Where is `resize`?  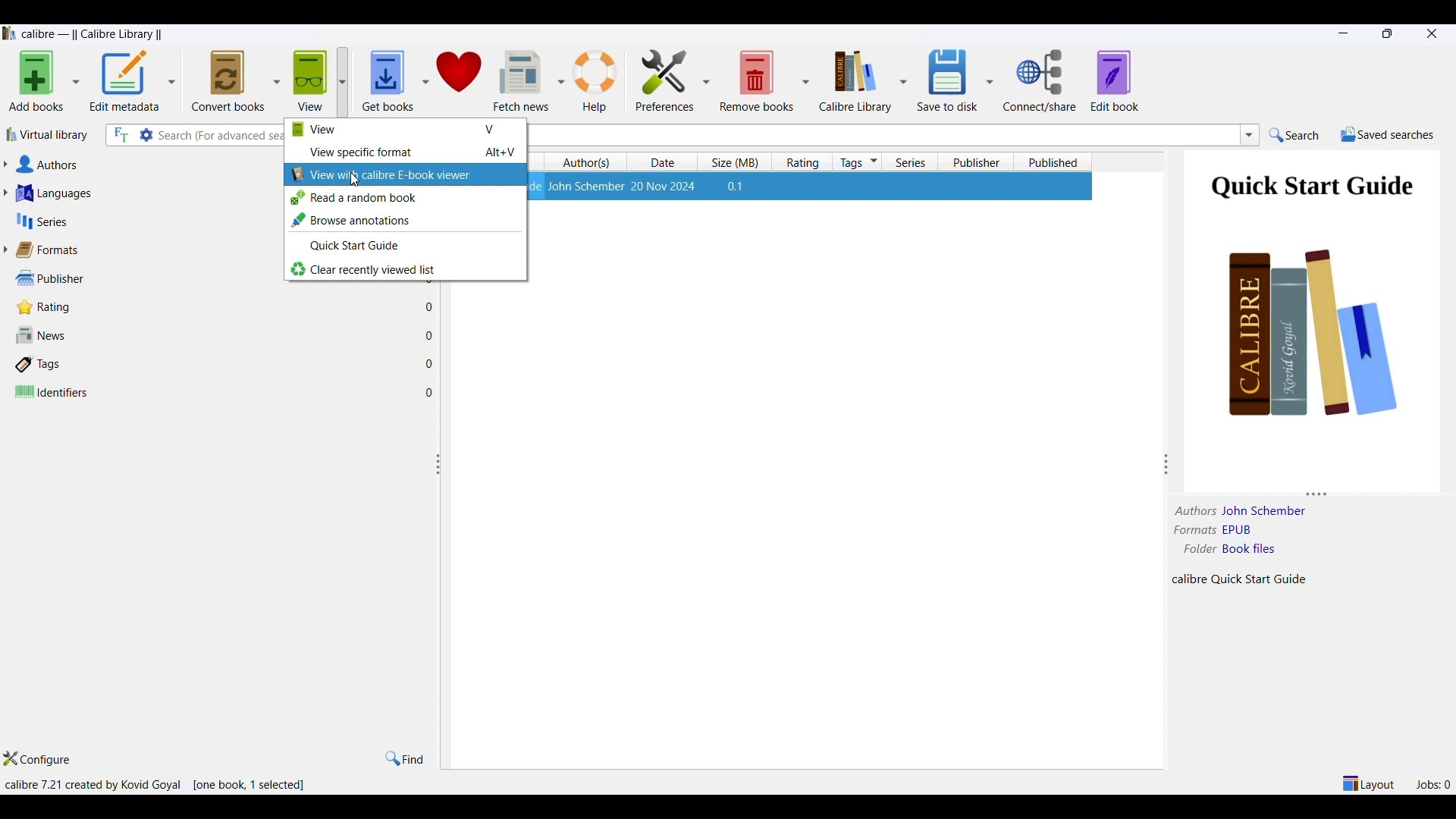 resize is located at coordinates (1167, 464).